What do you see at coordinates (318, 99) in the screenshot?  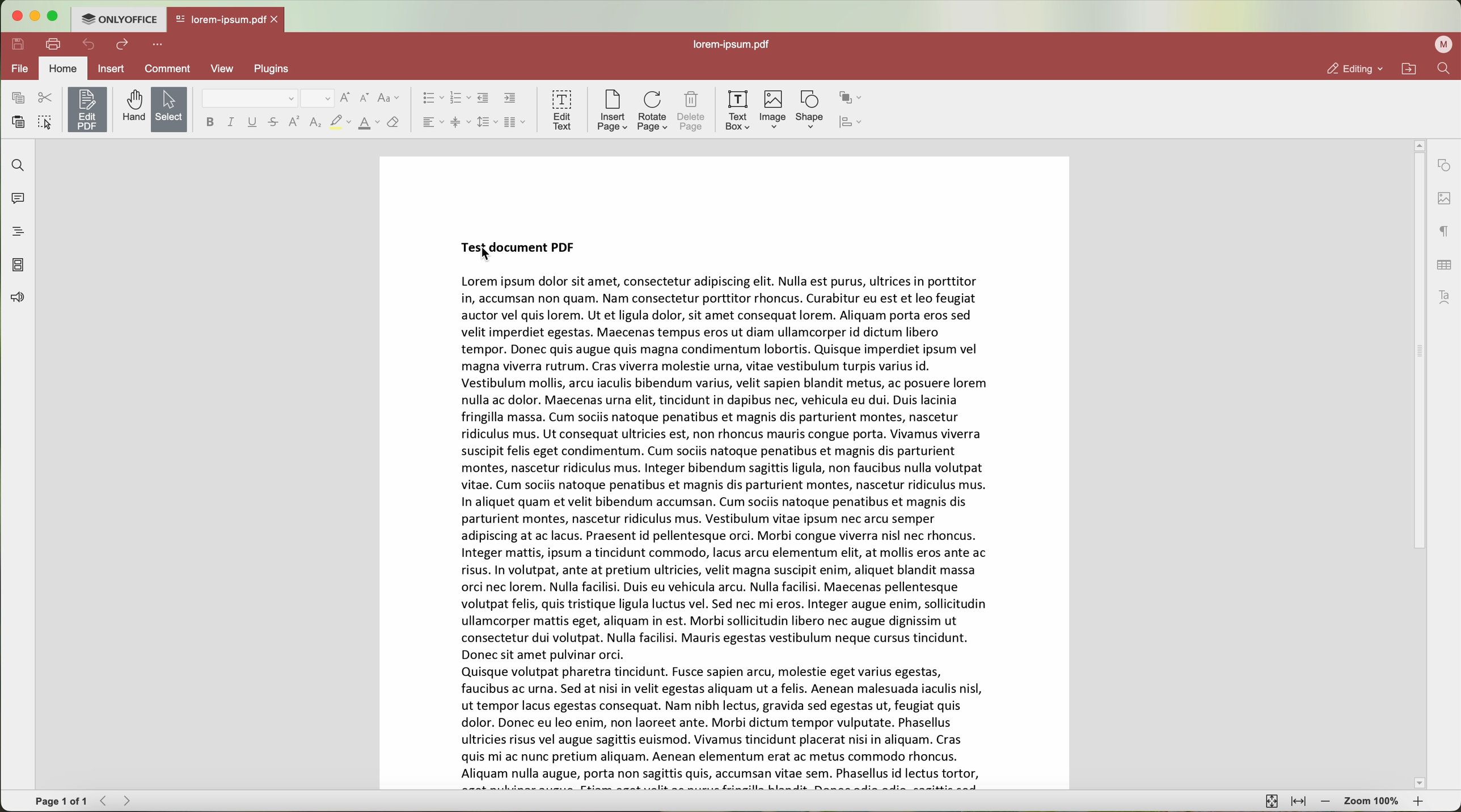 I see `size font` at bounding box center [318, 99].